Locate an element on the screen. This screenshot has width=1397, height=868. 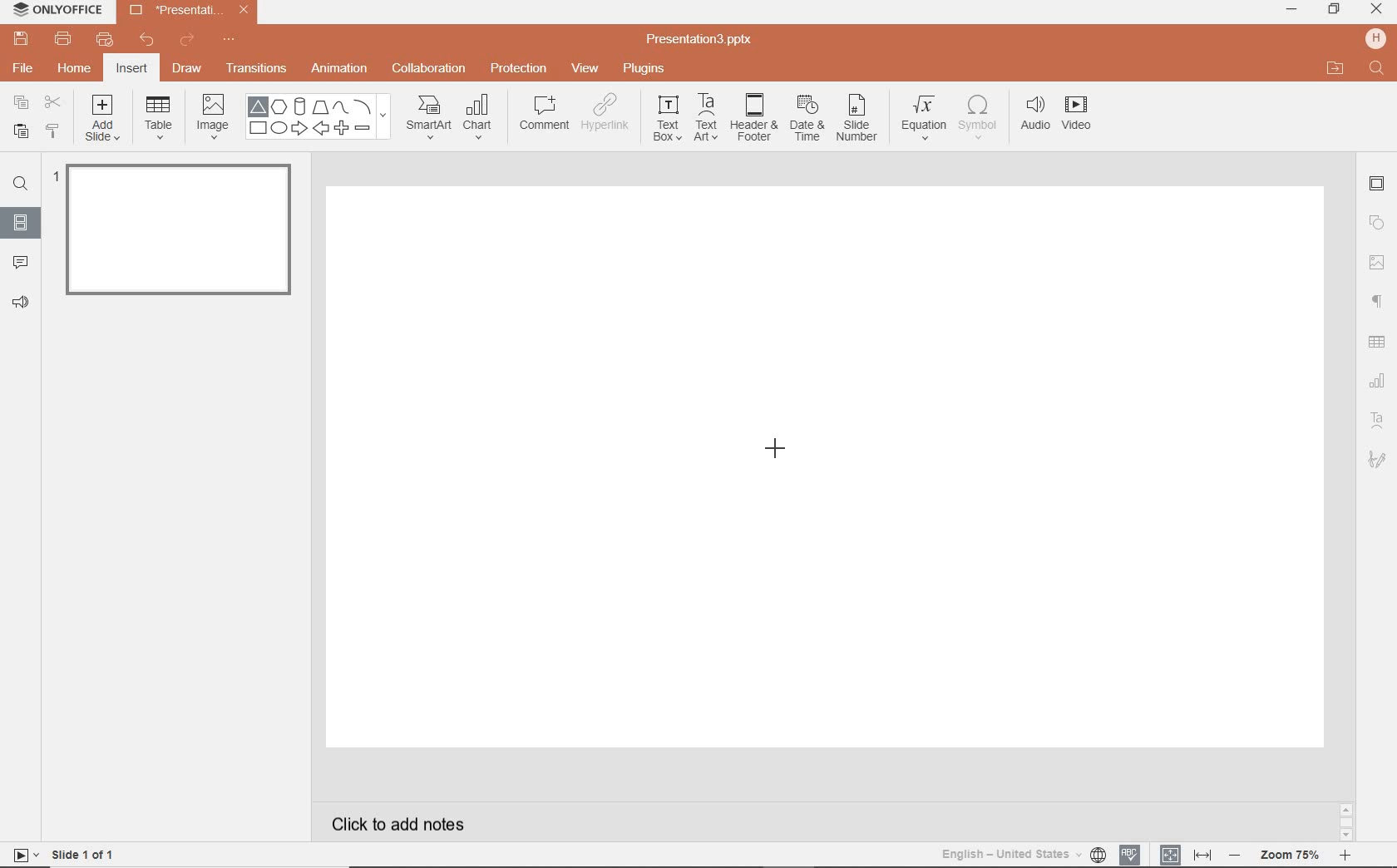
IMAGE SETTINGS is located at coordinates (1377, 262).